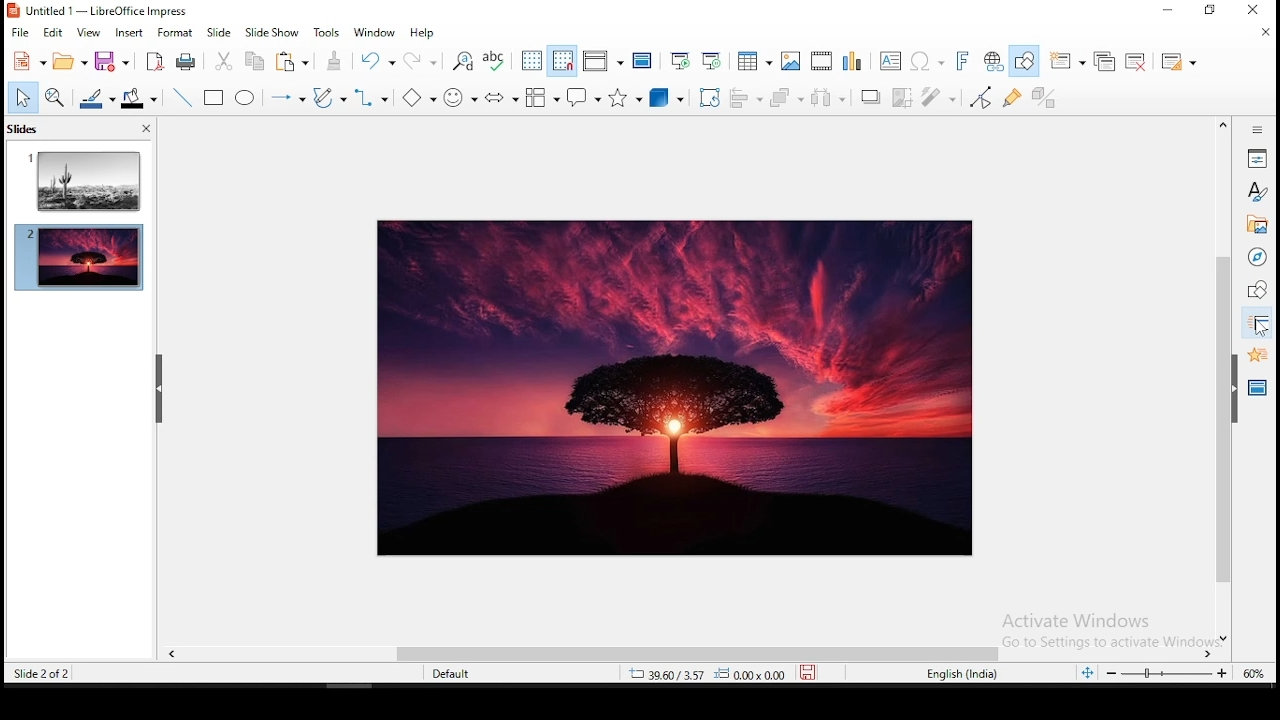 Image resolution: width=1280 pixels, height=720 pixels. I want to click on print, so click(187, 63).